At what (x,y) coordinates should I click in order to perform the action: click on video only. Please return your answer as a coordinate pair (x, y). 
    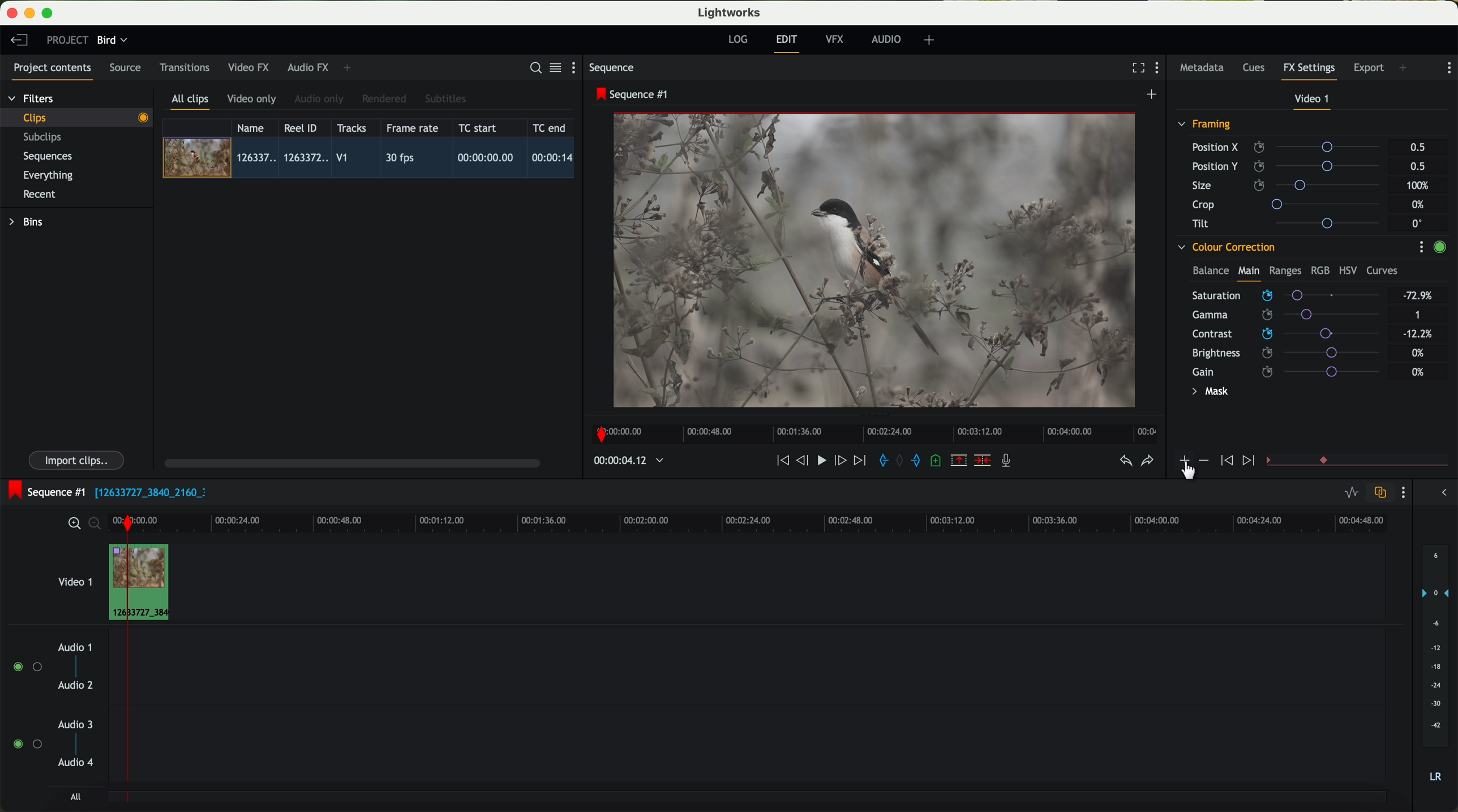
    Looking at the image, I should click on (251, 100).